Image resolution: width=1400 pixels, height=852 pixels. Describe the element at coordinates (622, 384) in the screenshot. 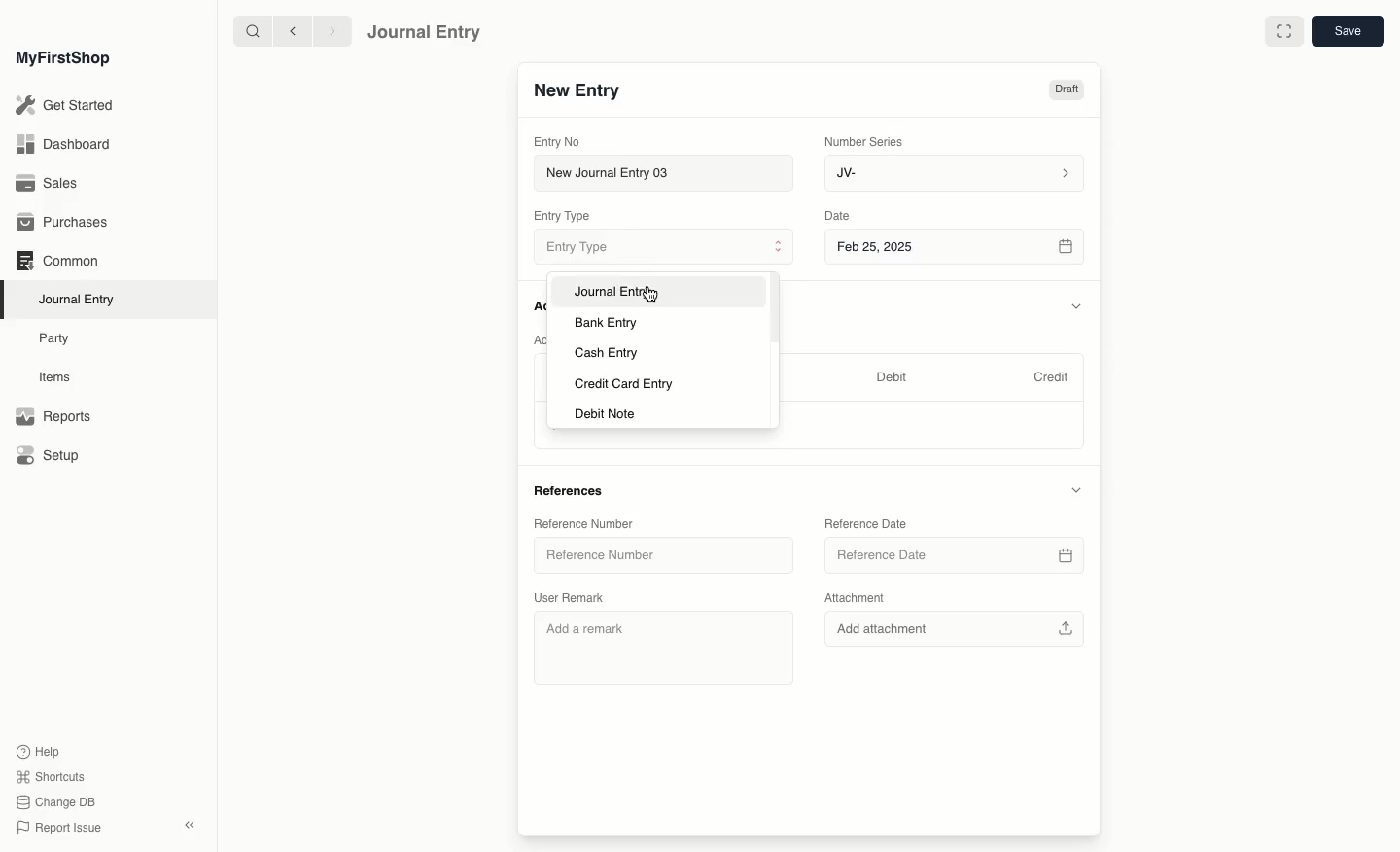

I see `Credit Card Entry` at that location.